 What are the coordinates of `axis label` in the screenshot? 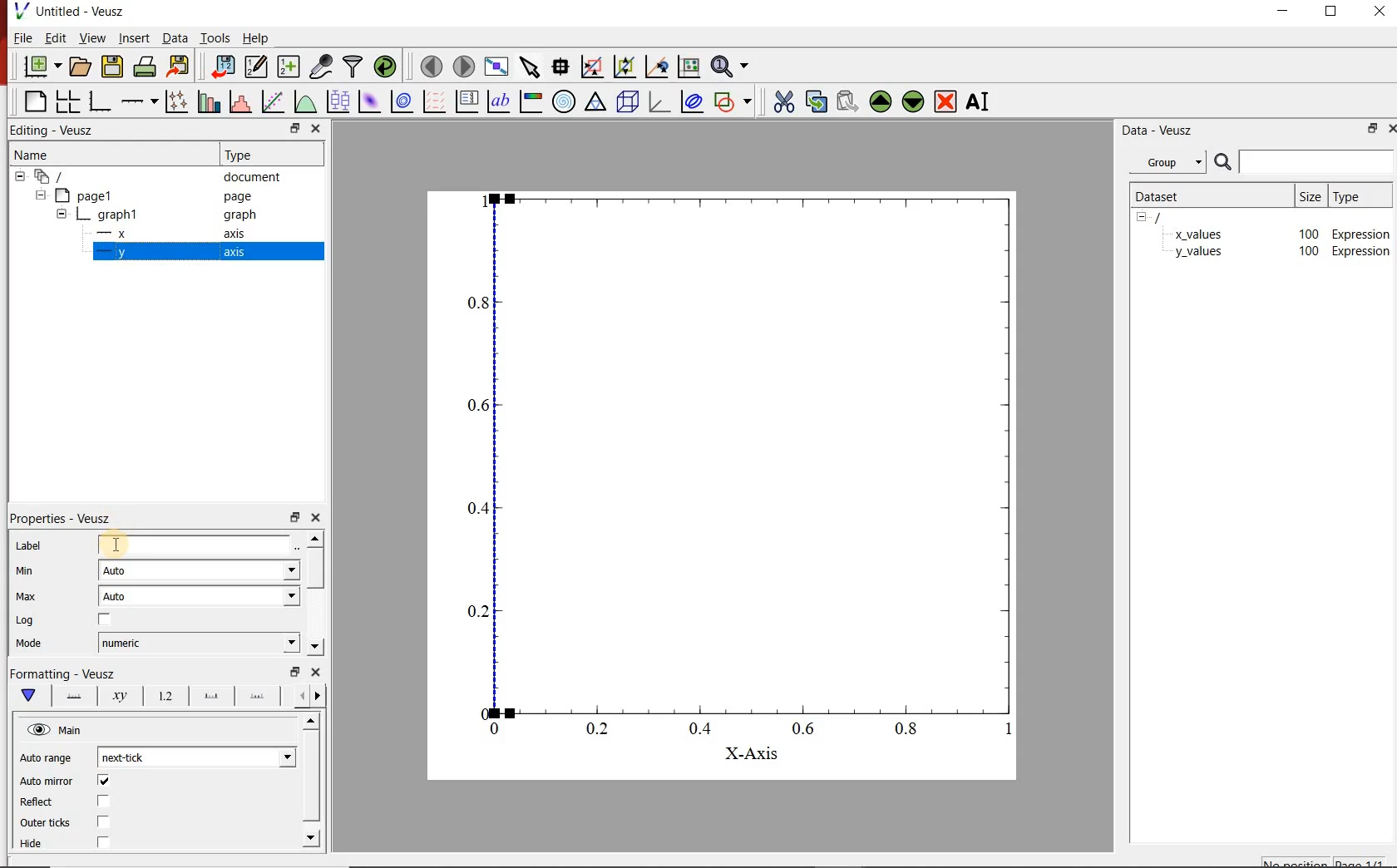 It's located at (121, 697).